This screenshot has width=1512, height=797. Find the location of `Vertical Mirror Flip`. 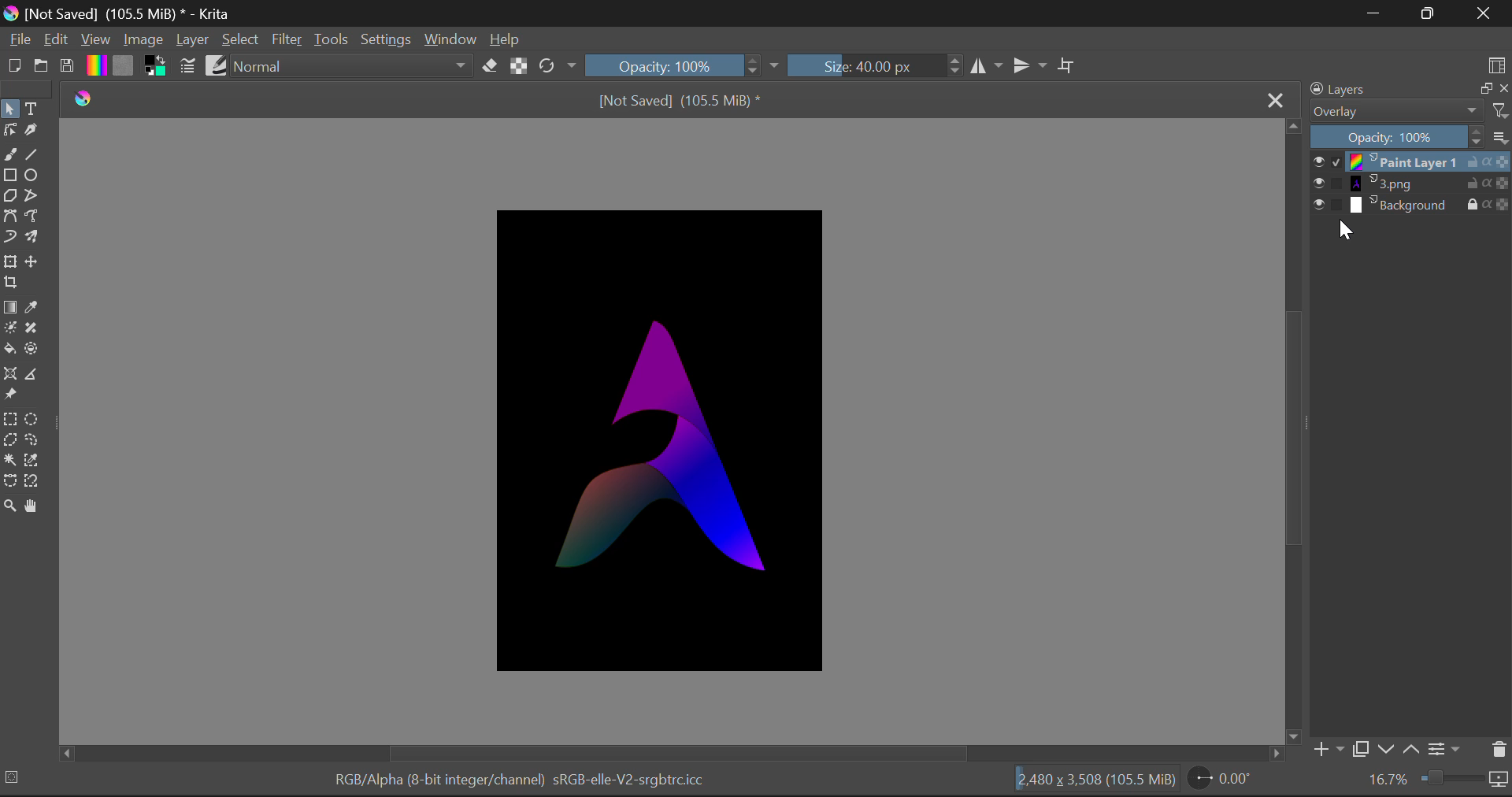

Vertical Mirror Flip is located at coordinates (984, 67).